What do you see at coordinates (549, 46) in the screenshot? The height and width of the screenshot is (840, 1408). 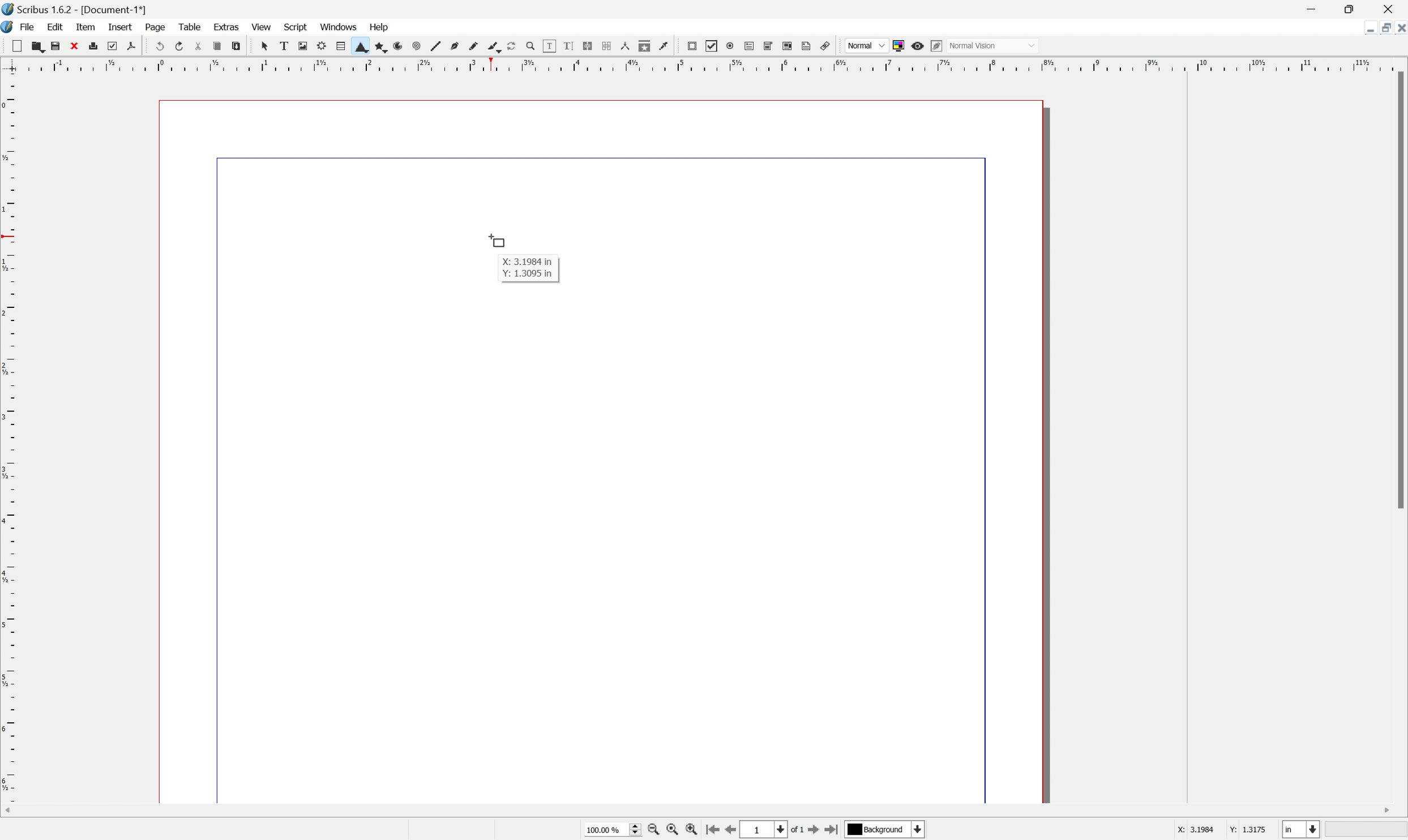 I see `Edit contents of frame` at bounding box center [549, 46].